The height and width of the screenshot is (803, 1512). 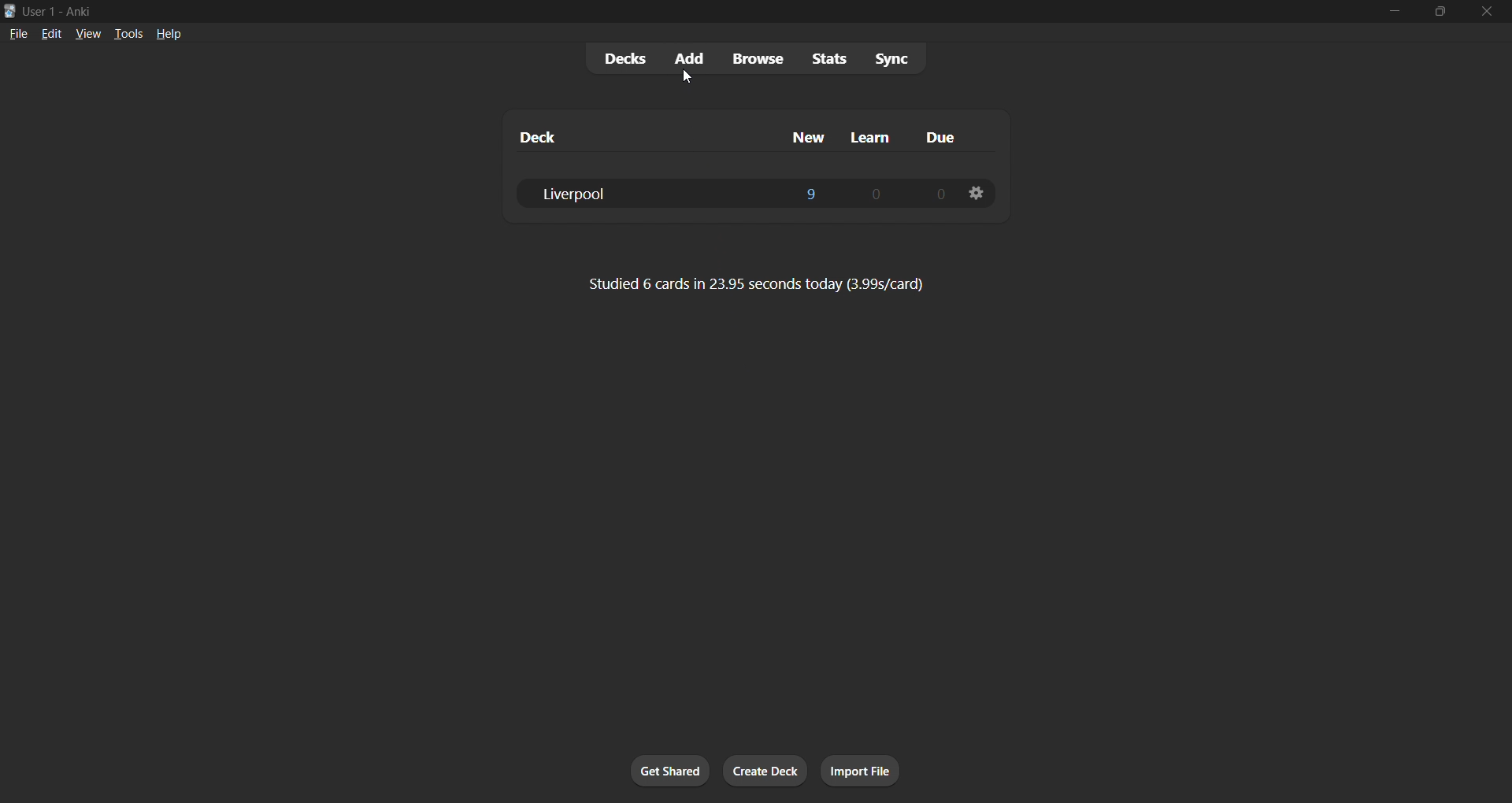 I want to click on get shared, so click(x=667, y=770).